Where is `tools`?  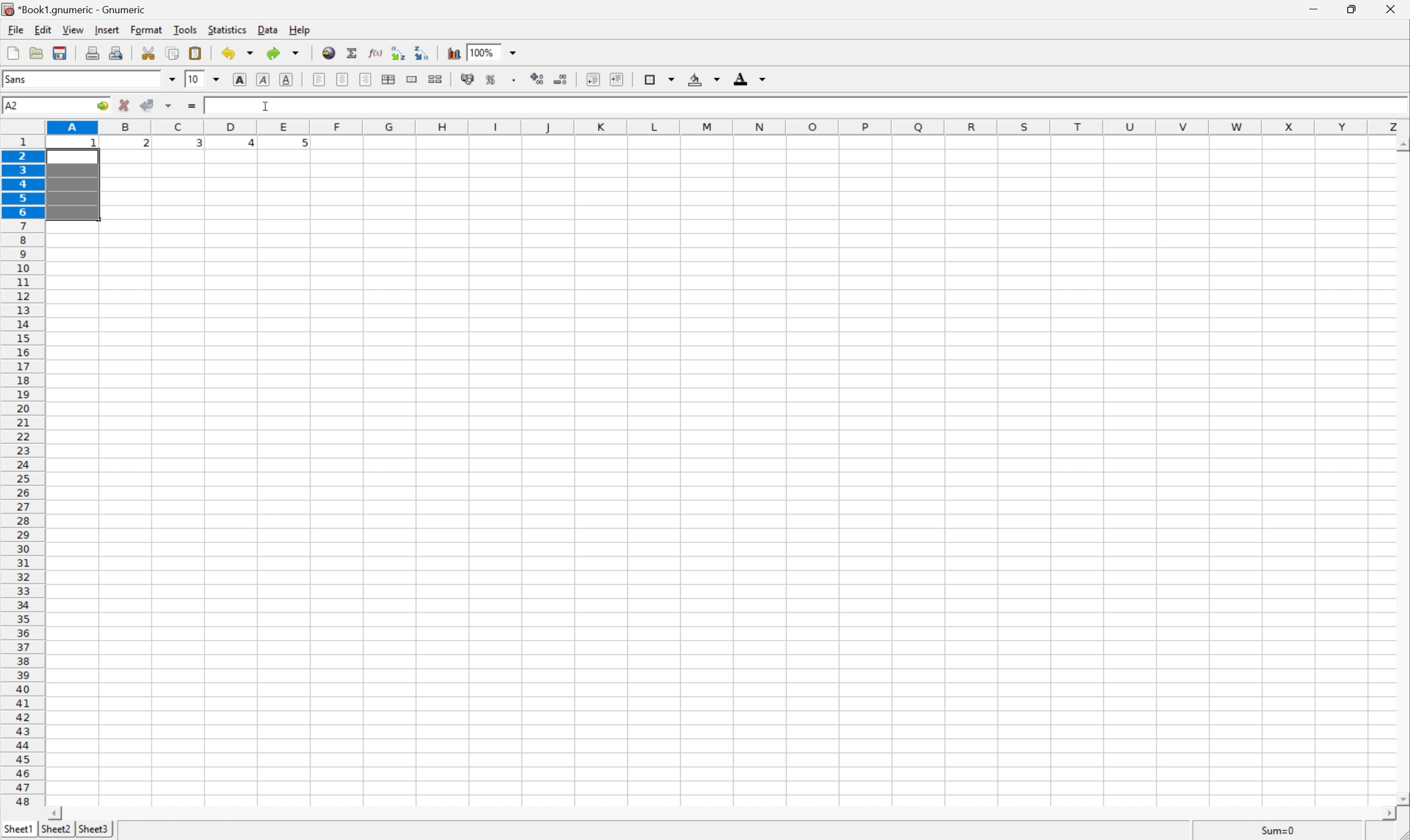 tools is located at coordinates (186, 30).